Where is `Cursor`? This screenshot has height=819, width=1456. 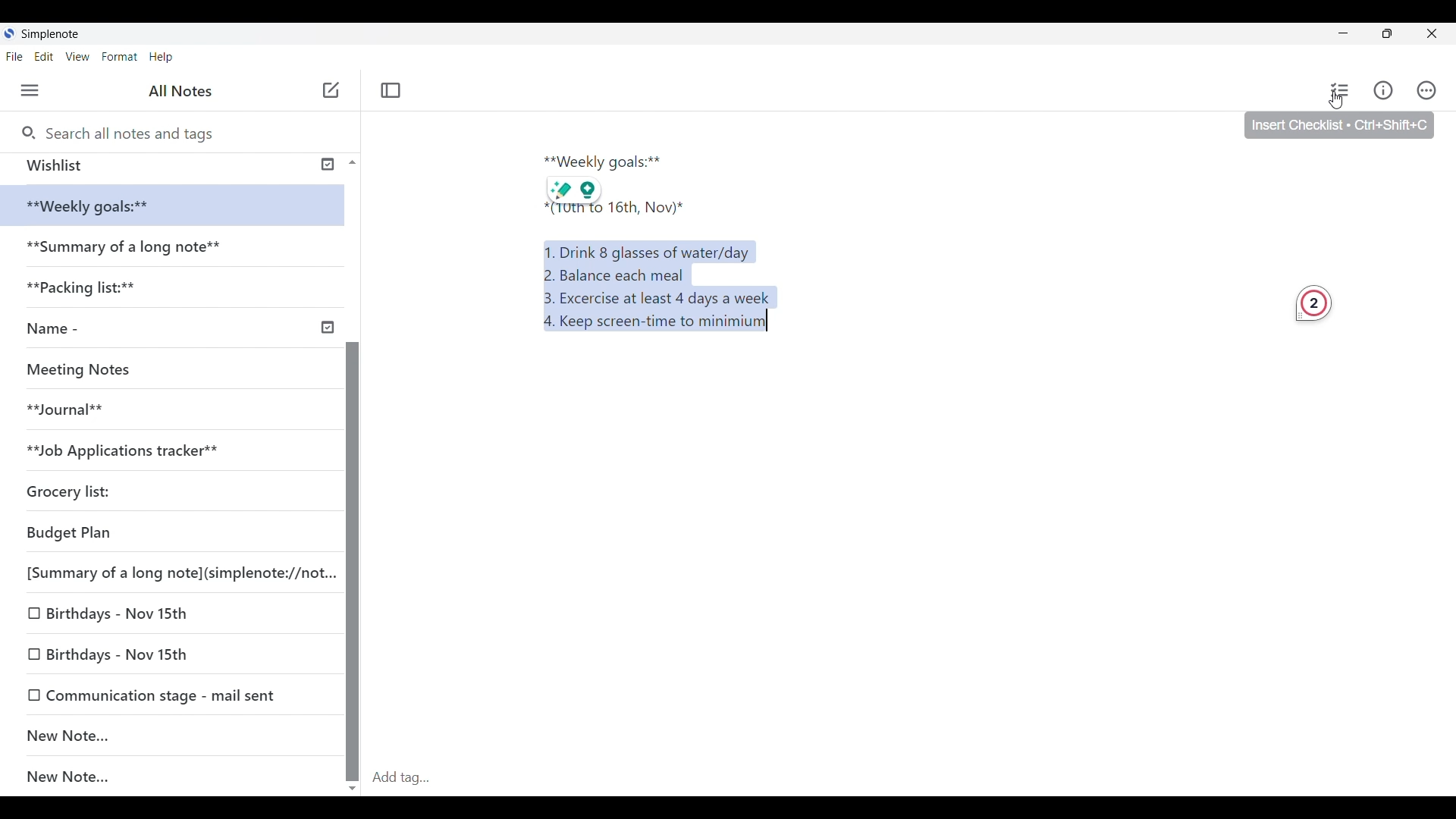 Cursor is located at coordinates (1338, 103).